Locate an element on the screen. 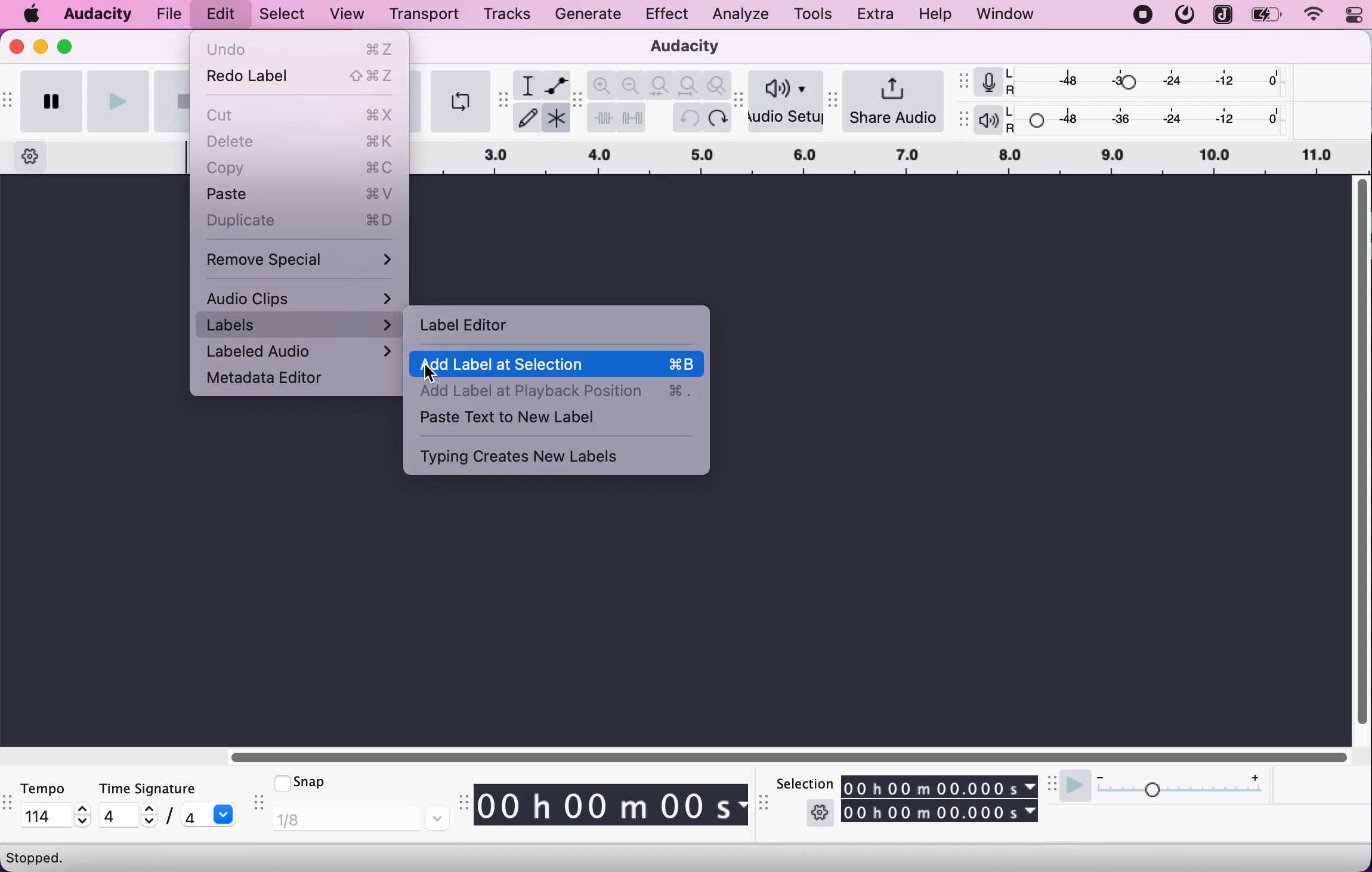 The height and width of the screenshot is (872, 1372). 4 is located at coordinates (115, 815).